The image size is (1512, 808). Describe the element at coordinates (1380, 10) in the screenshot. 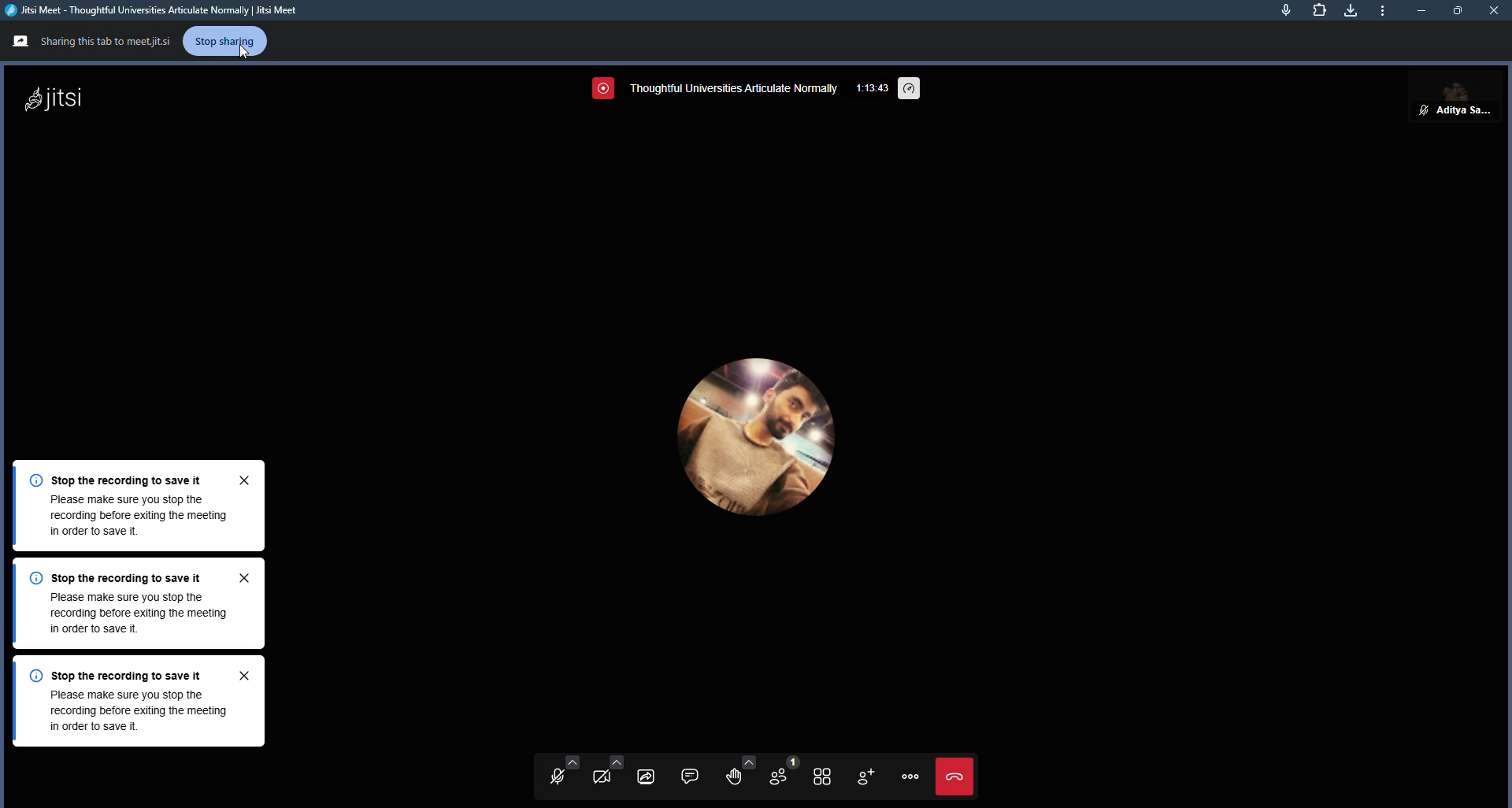

I see `minimize` at that location.